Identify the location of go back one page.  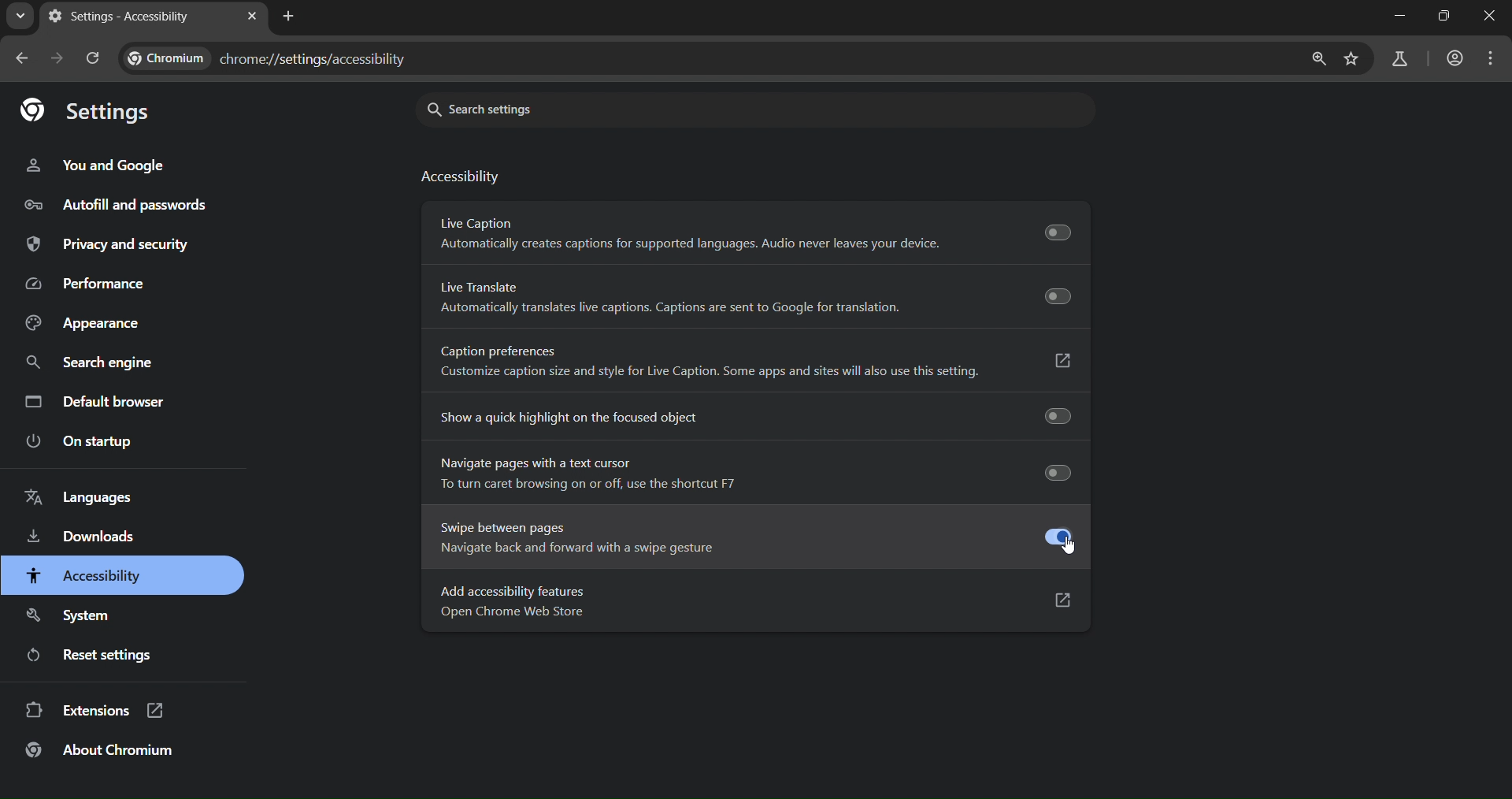
(23, 59).